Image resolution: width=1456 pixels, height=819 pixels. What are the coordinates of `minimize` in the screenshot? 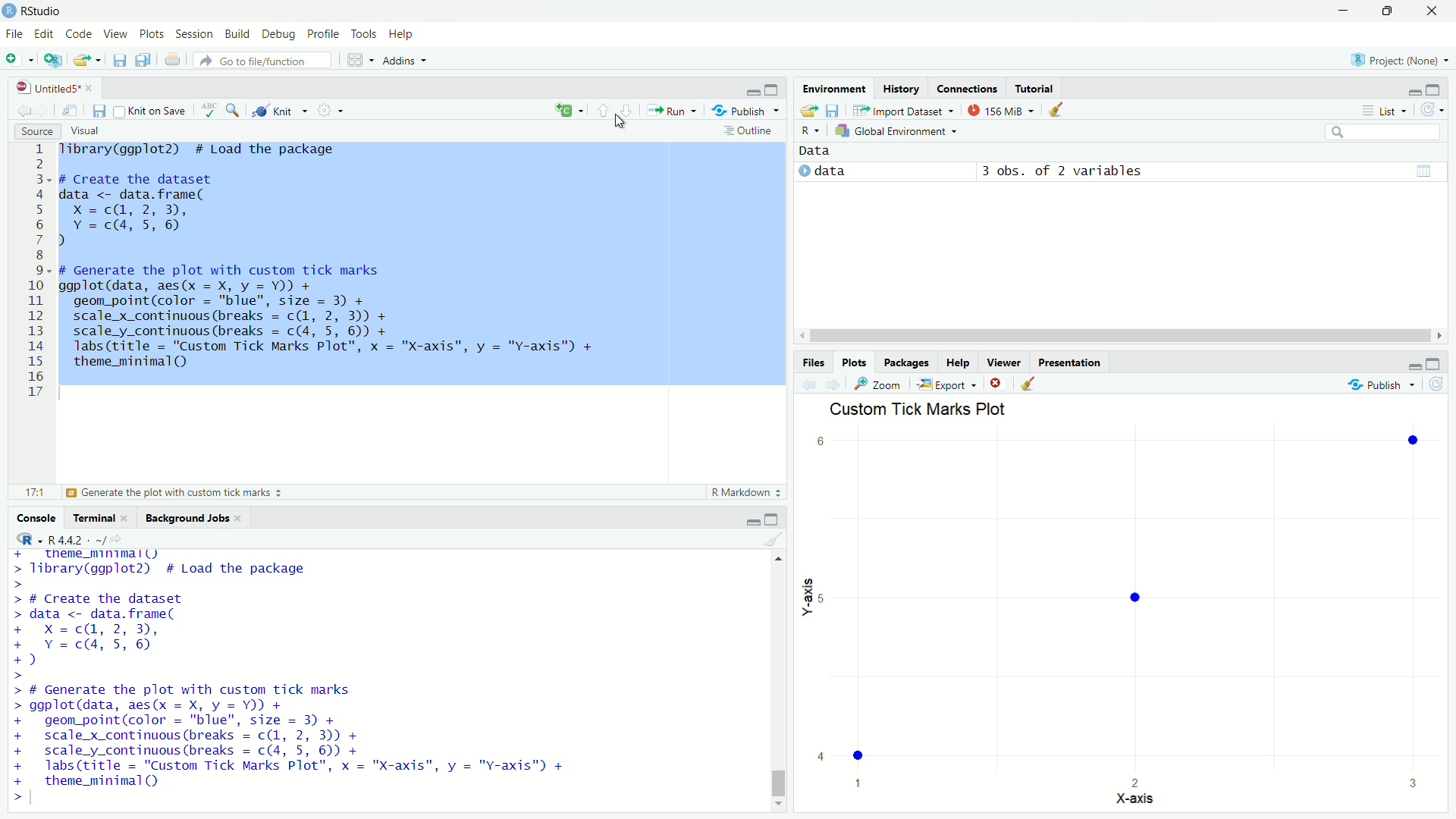 It's located at (1340, 11).